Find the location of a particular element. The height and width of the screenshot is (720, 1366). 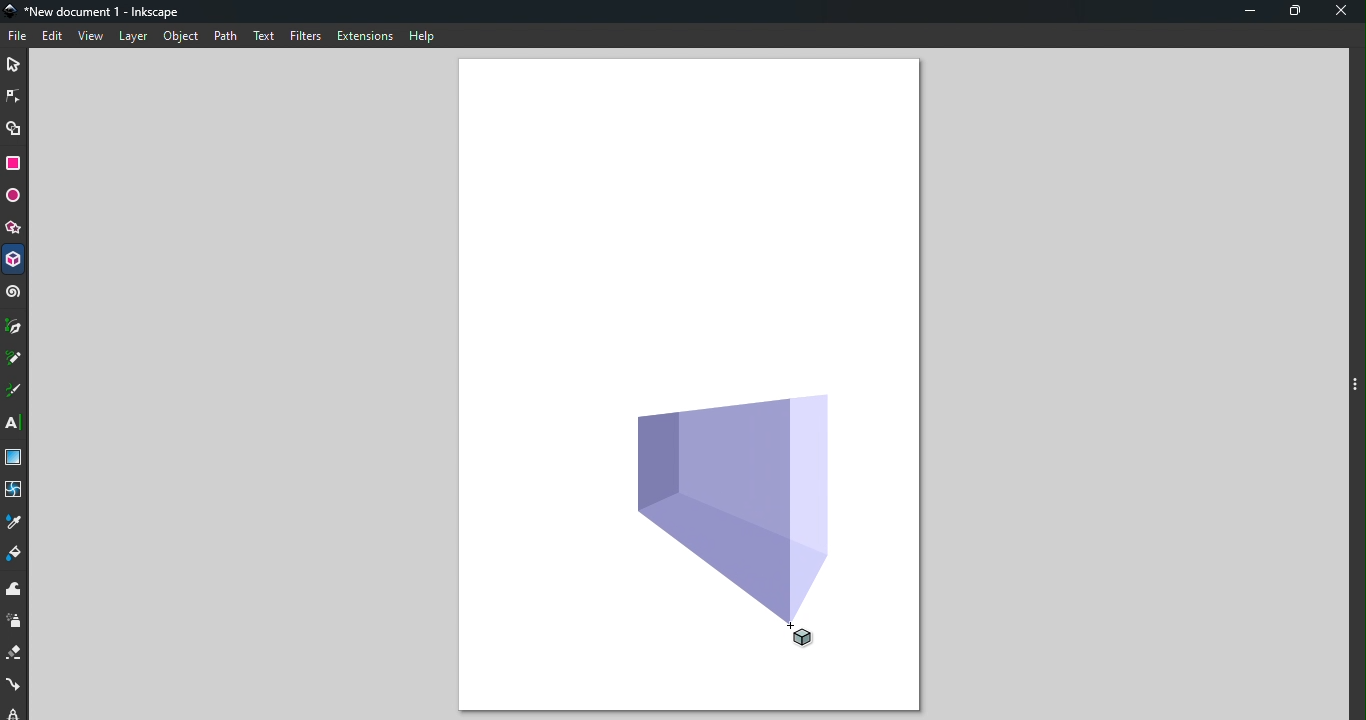

Dropper tool is located at coordinates (16, 521).